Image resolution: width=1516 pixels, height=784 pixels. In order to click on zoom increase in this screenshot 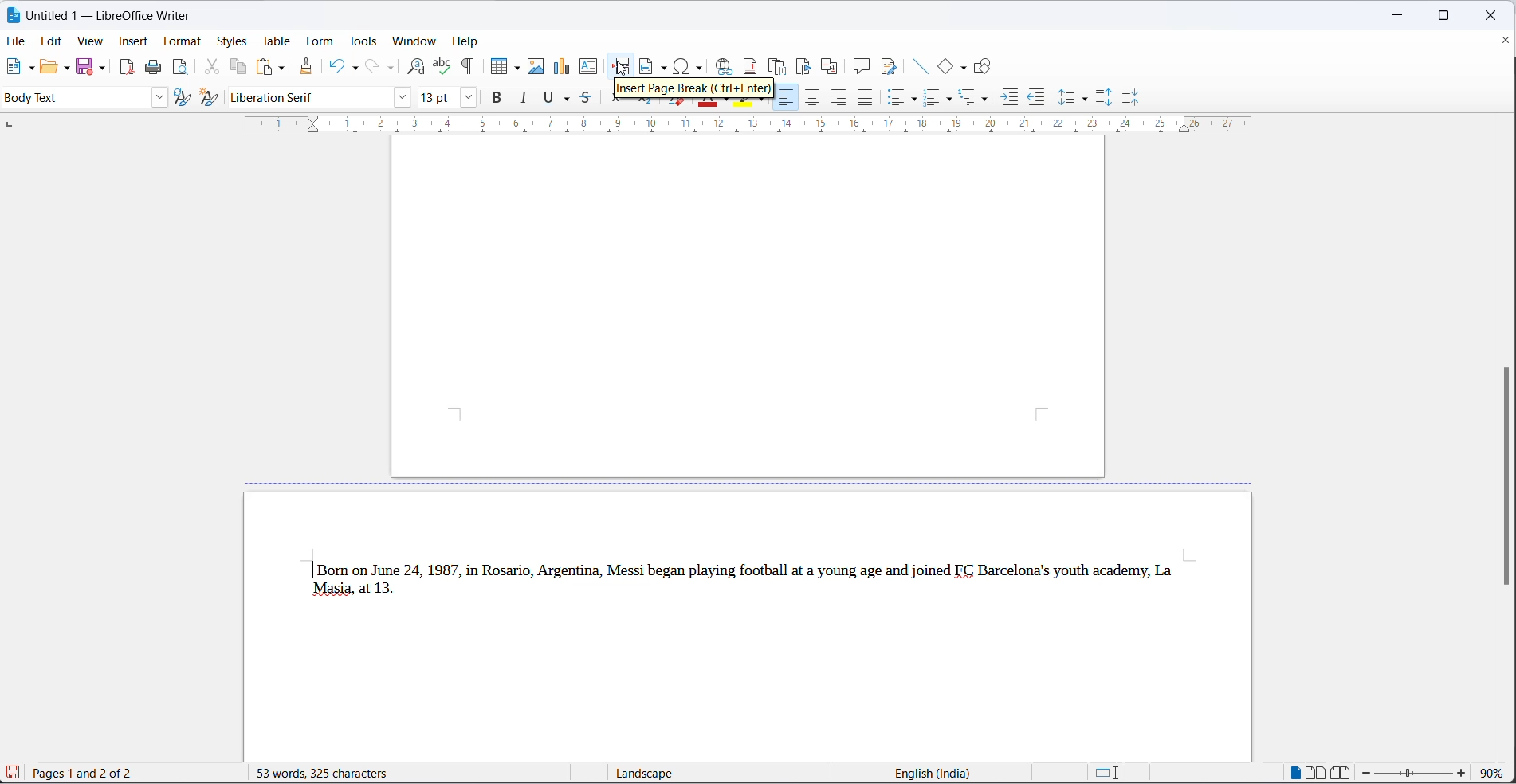, I will do `click(1463, 774)`.